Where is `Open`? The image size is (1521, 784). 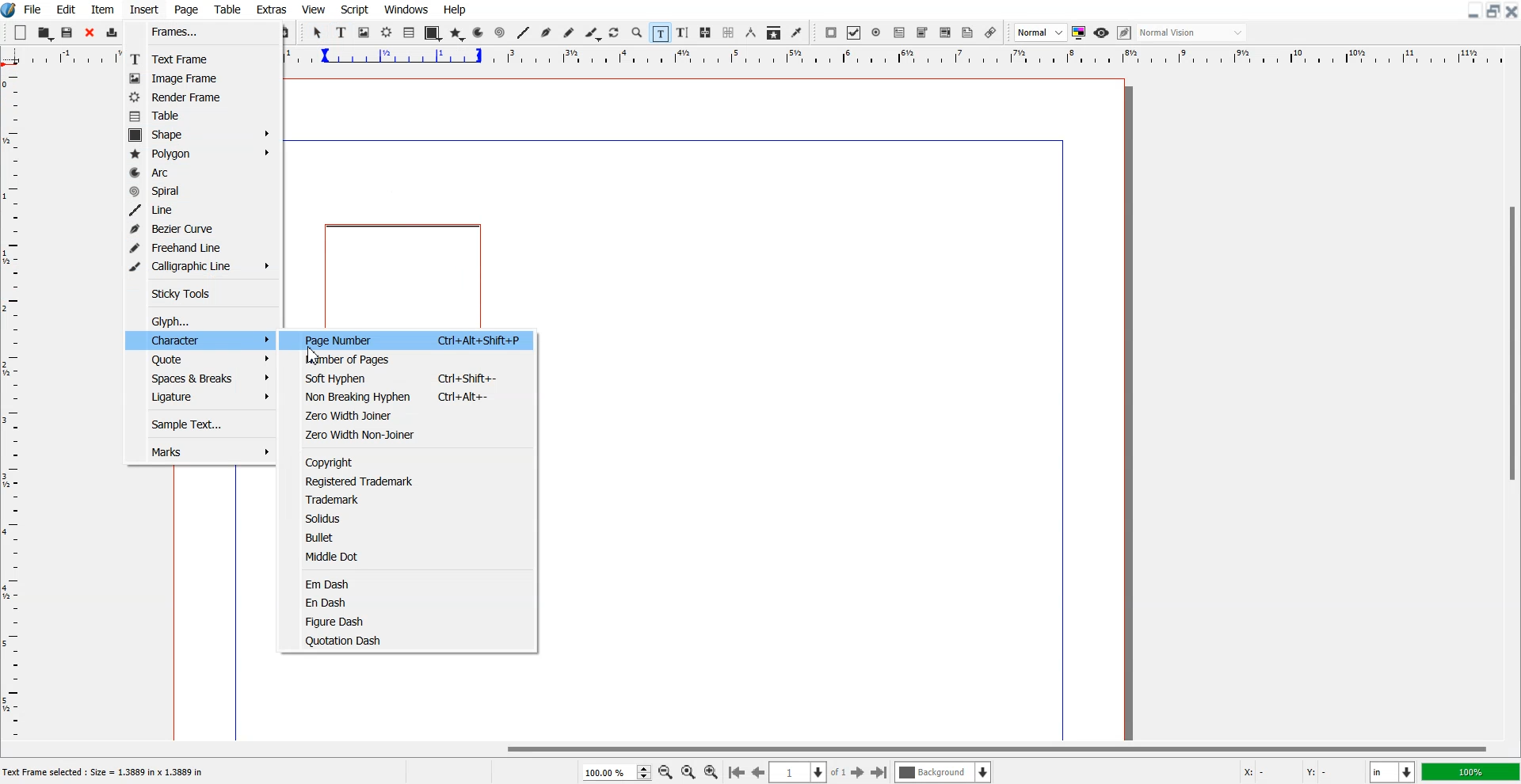 Open is located at coordinates (46, 33).